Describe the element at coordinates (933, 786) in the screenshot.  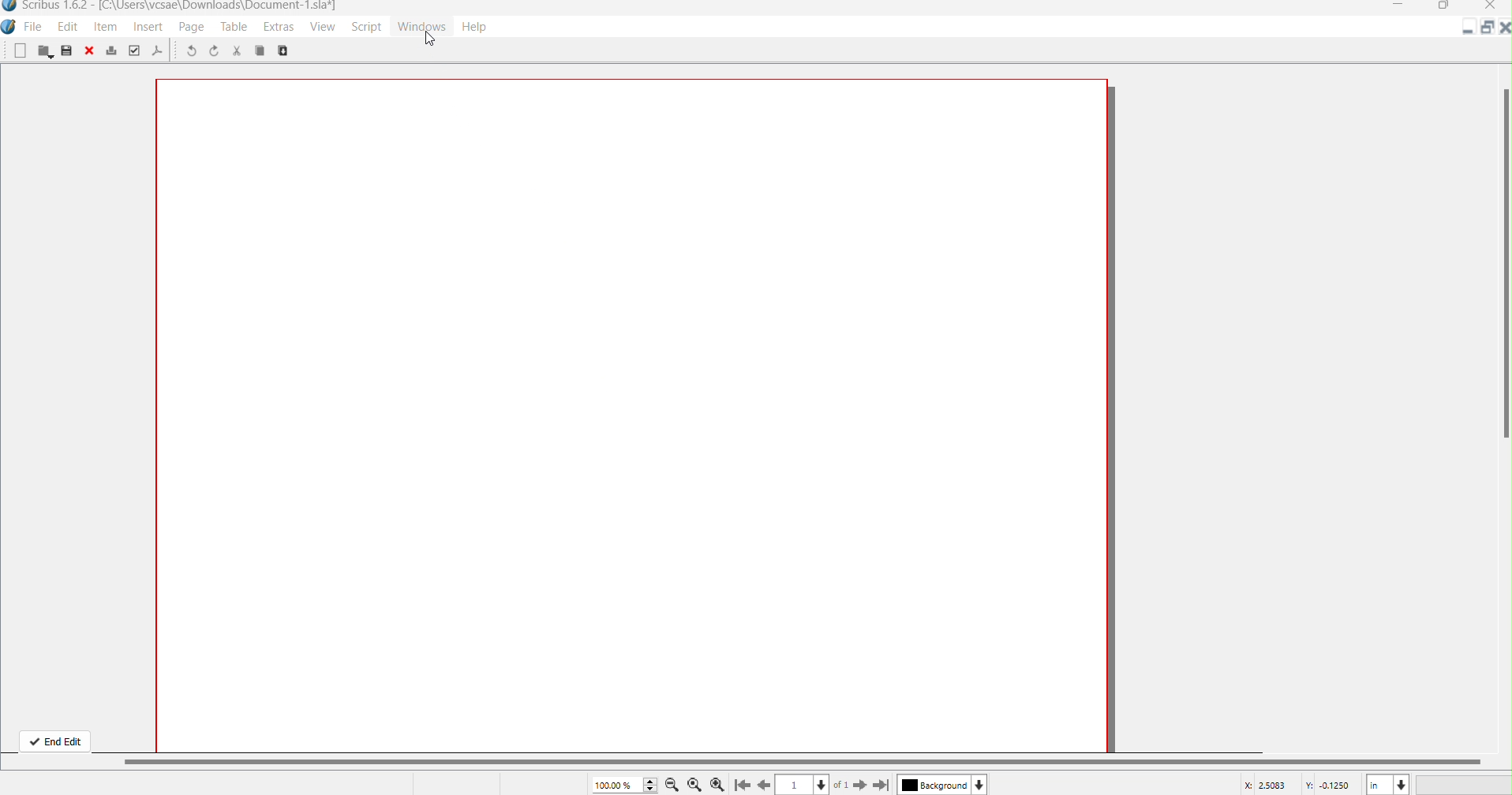
I see `background` at that location.